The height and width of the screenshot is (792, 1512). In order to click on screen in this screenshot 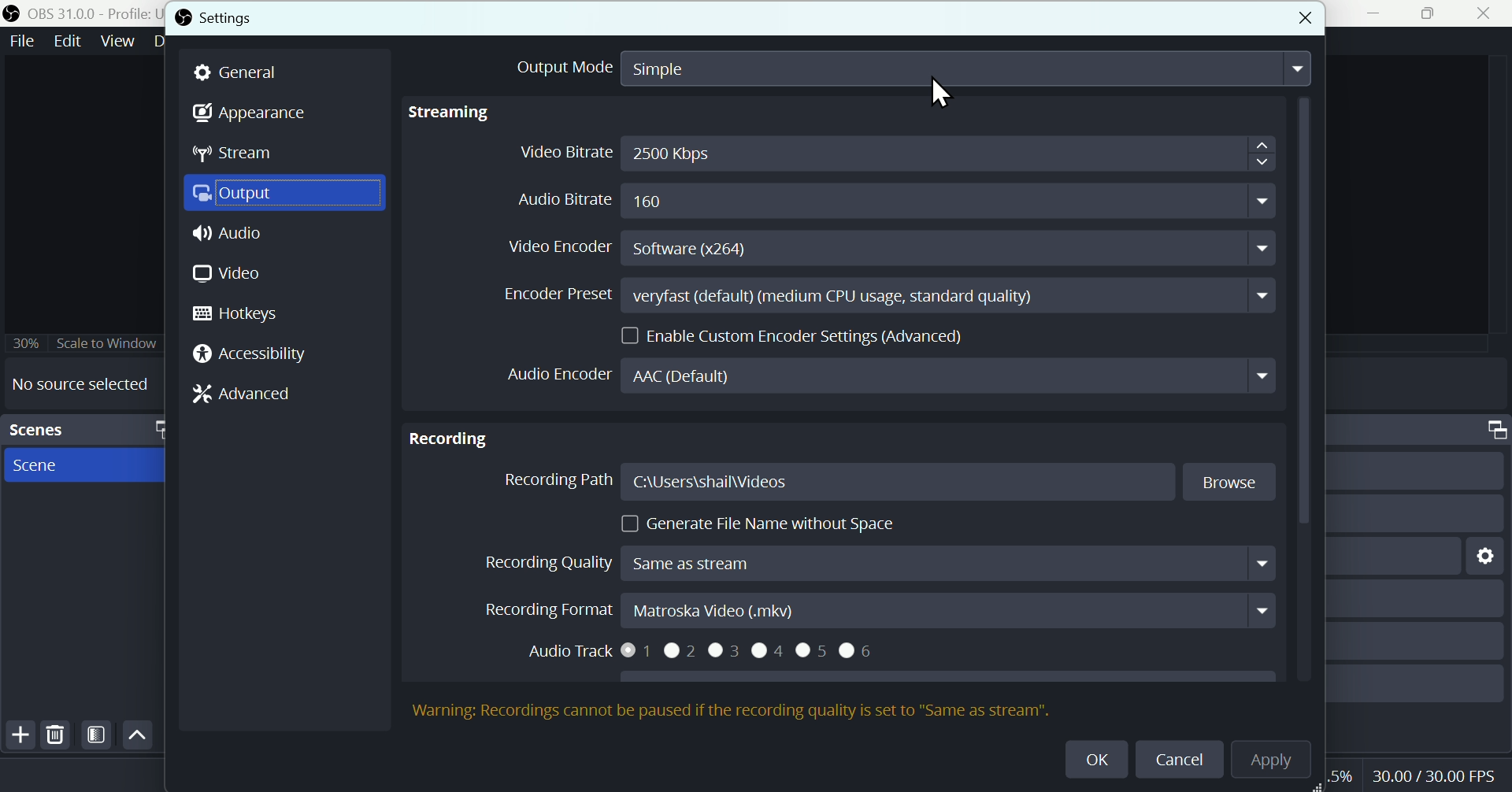, I will do `click(87, 466)`.